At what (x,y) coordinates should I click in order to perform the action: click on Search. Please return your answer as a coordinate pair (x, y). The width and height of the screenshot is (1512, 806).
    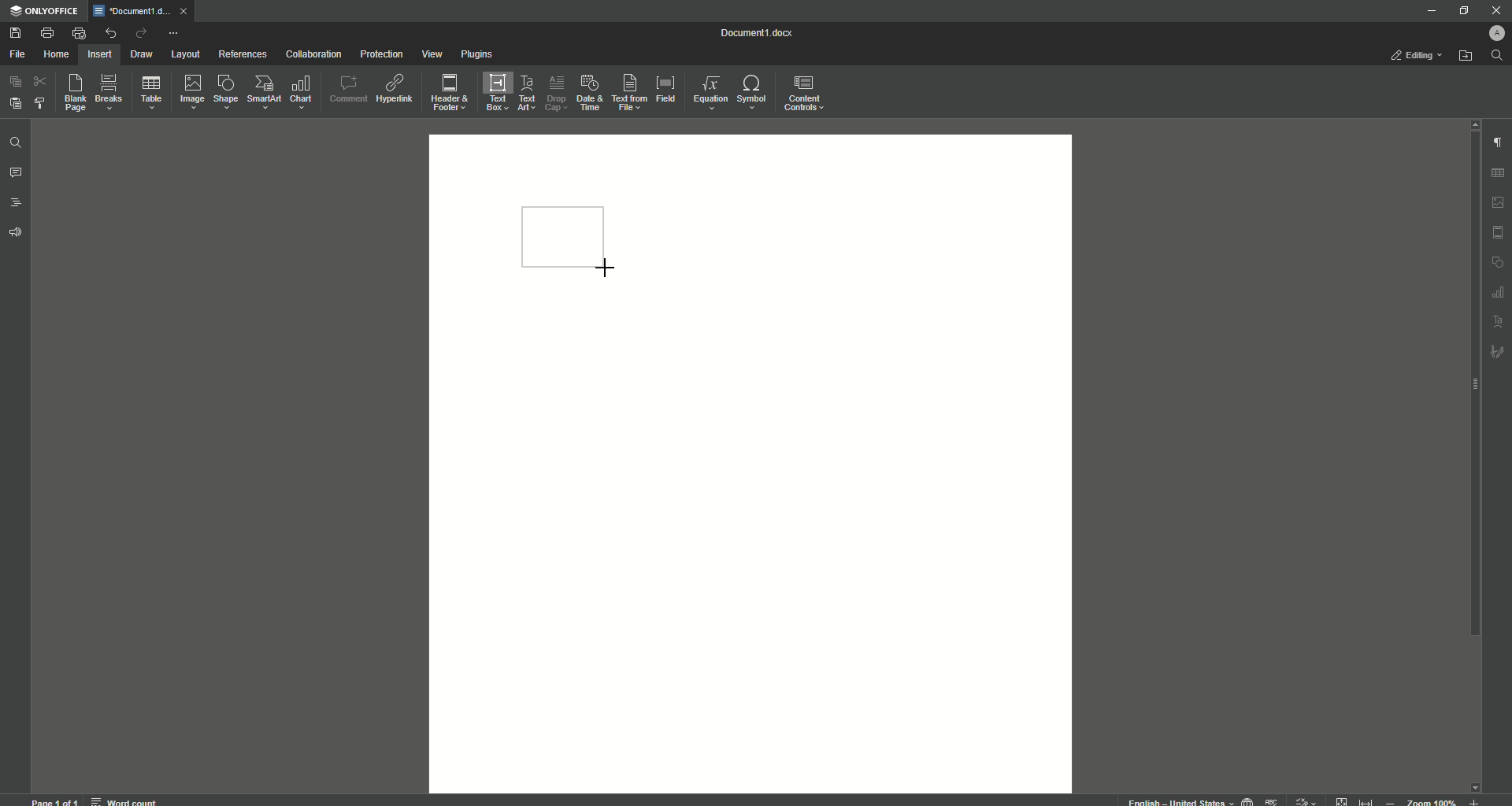
    Looking at the image, I should click on (1497, 56).